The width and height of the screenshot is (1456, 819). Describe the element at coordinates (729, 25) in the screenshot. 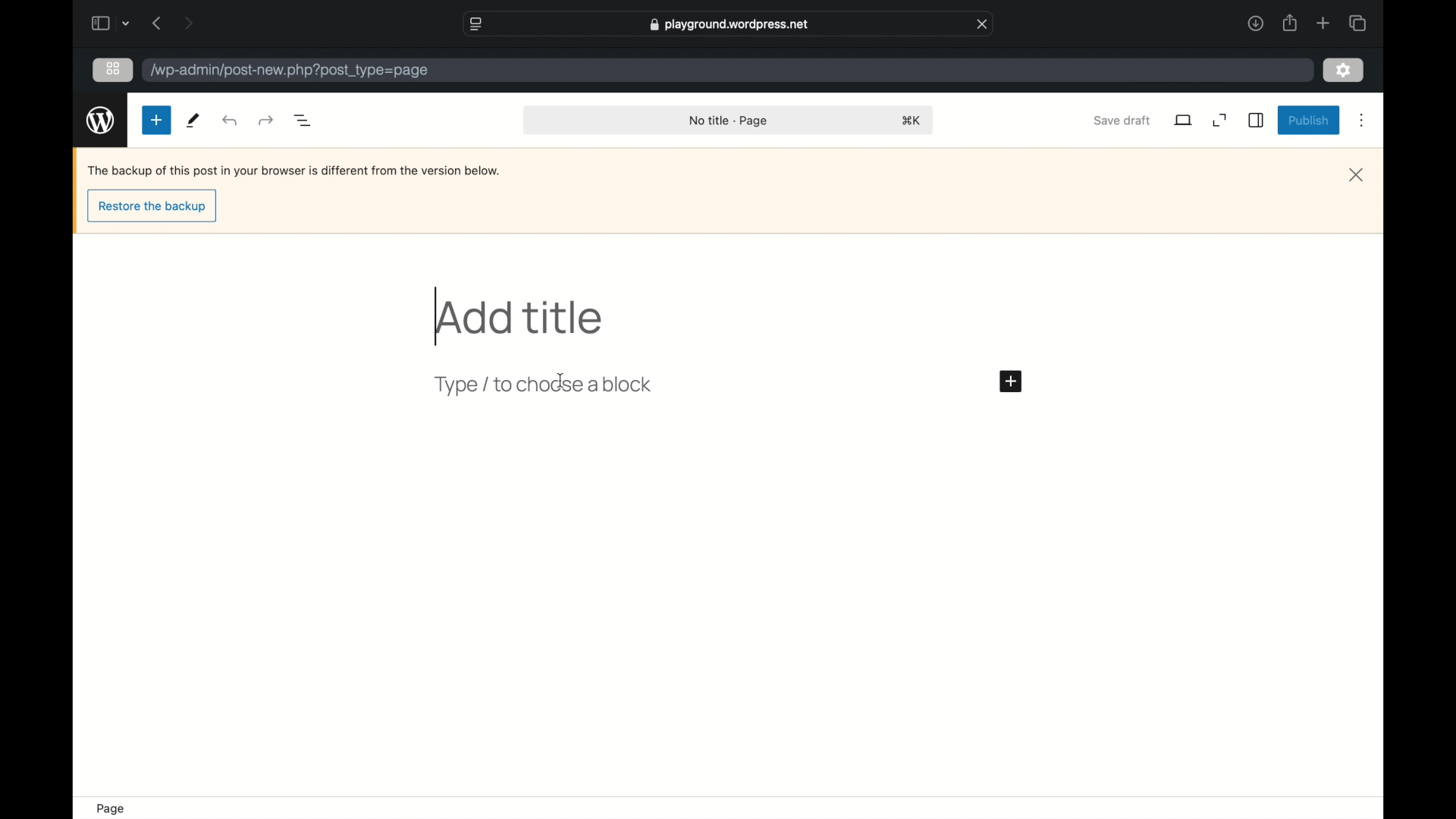

I see `web address` at that location.